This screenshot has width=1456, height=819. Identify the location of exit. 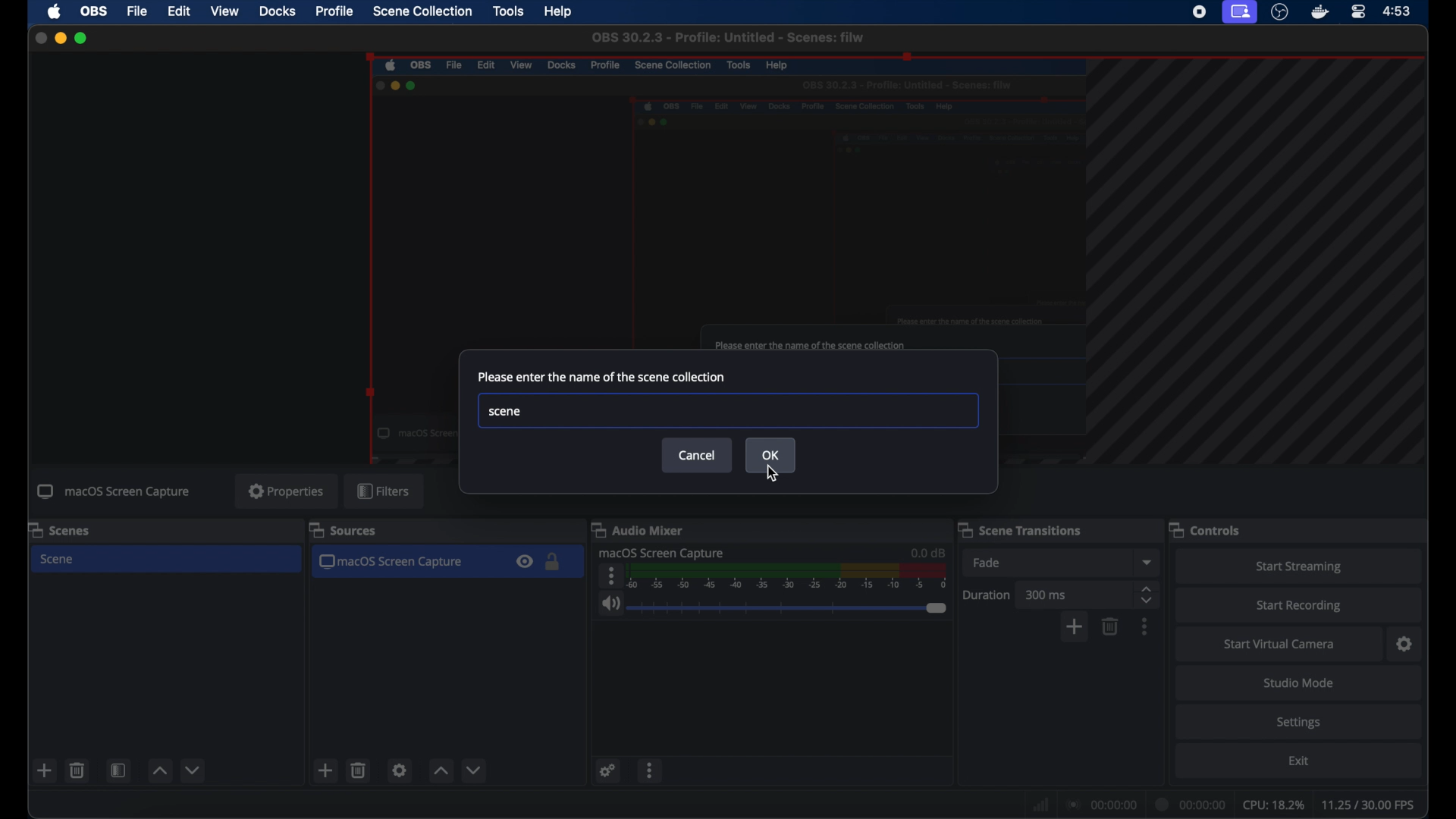
(1299, 764).